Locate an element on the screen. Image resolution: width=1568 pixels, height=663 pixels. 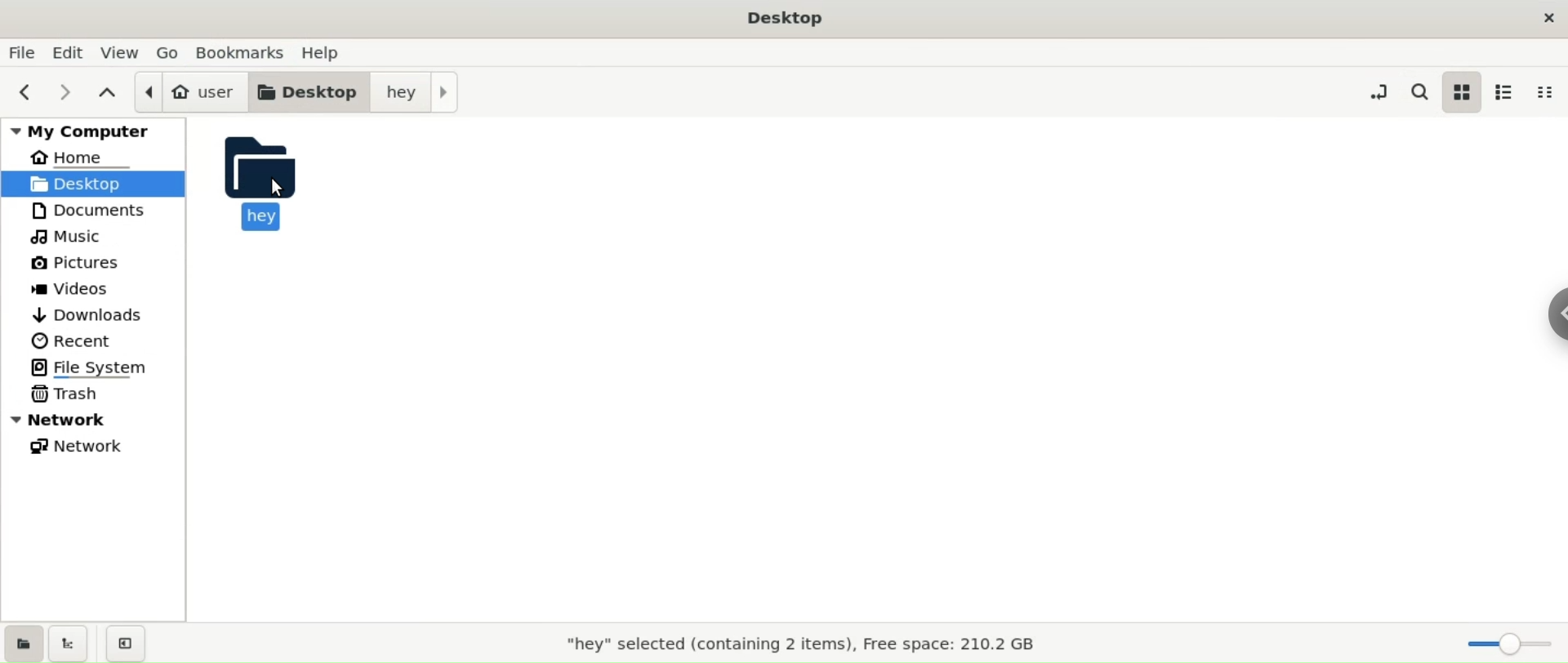
pictures is located at coordinates (77, 260).